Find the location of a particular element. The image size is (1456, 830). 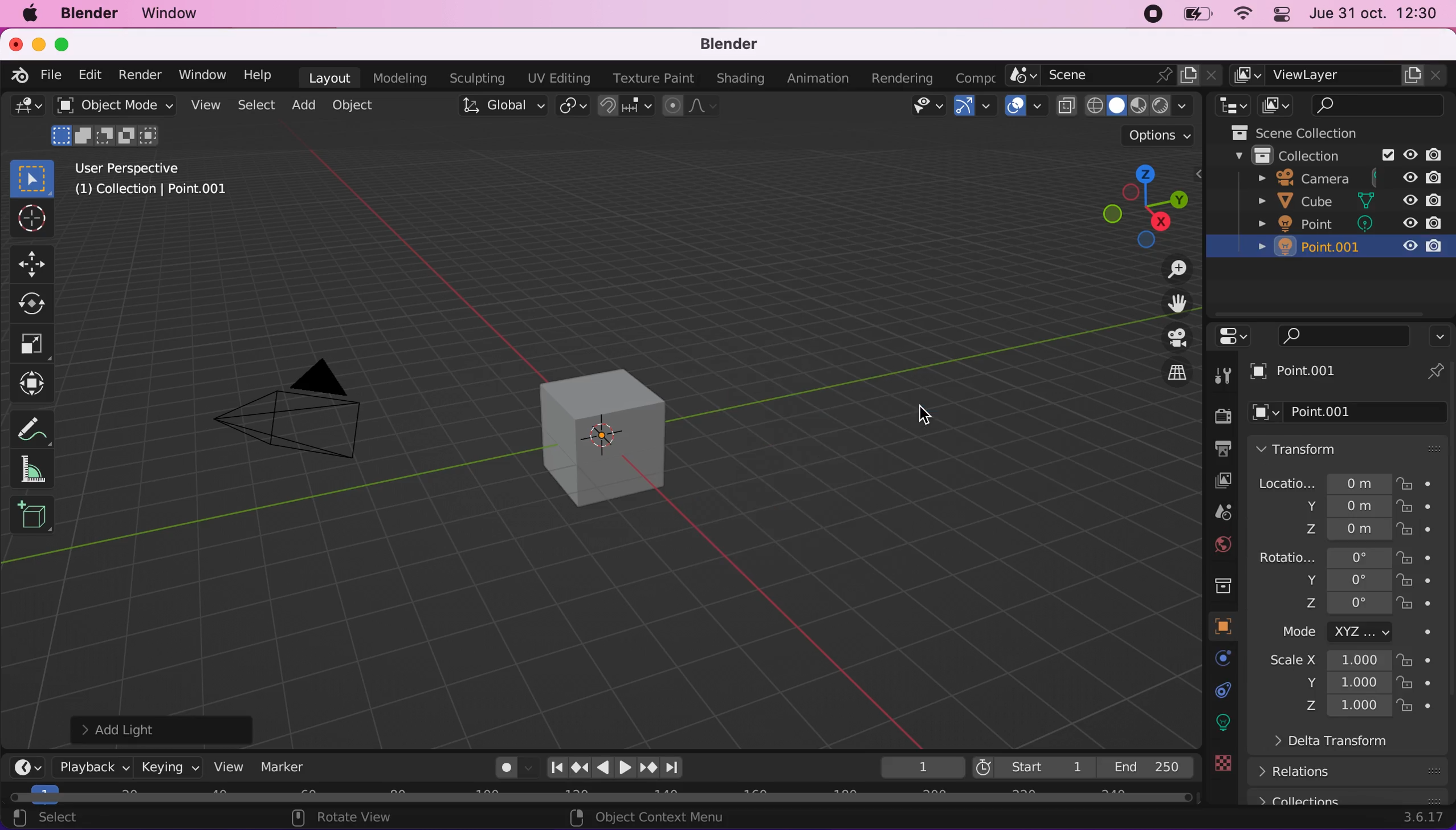

constraint is located at coordinates (1224, 658).